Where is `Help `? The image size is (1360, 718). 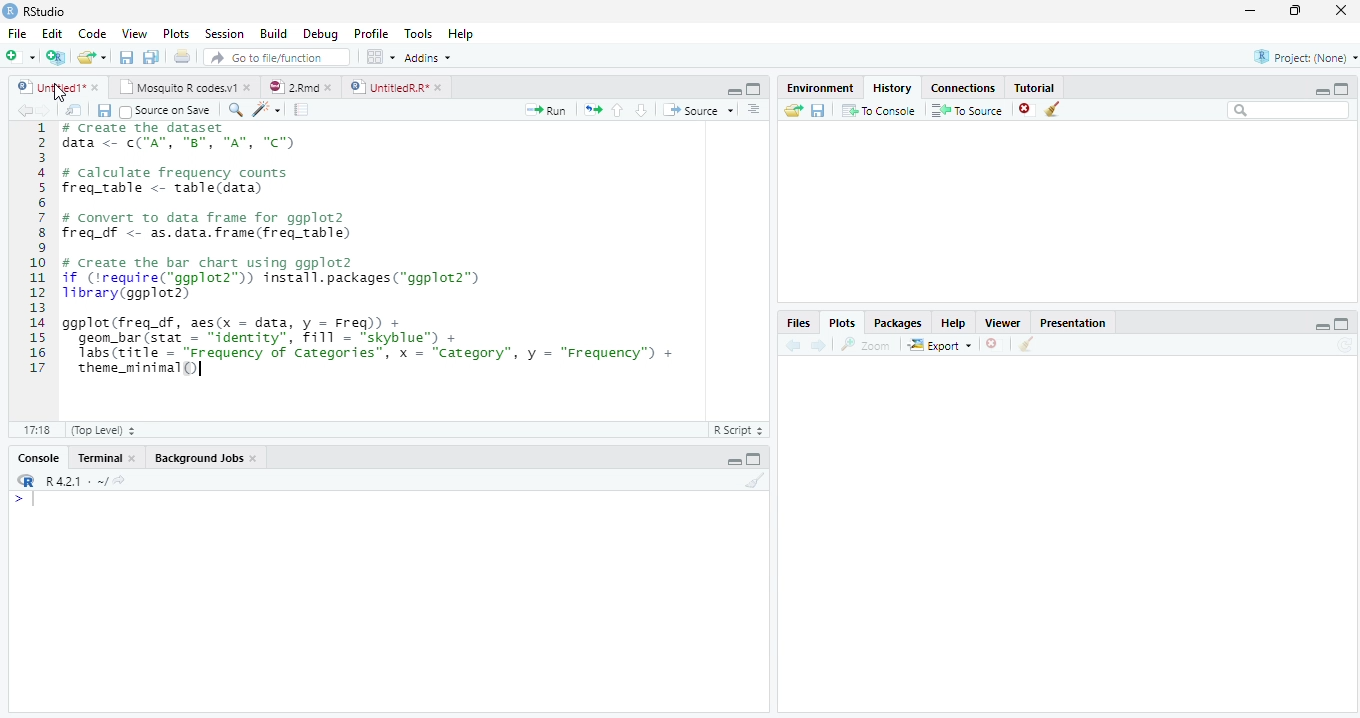 Help  is located at coordinates (959, 324).